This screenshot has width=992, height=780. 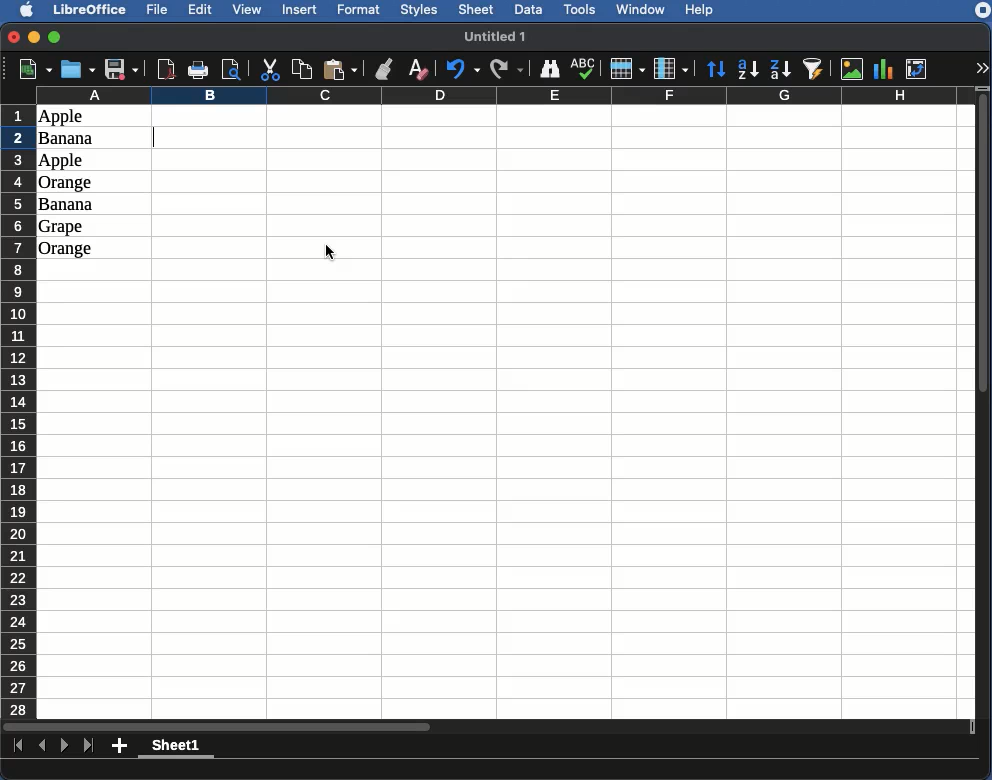 I want to click on Redo, so click(x=508, y=68).